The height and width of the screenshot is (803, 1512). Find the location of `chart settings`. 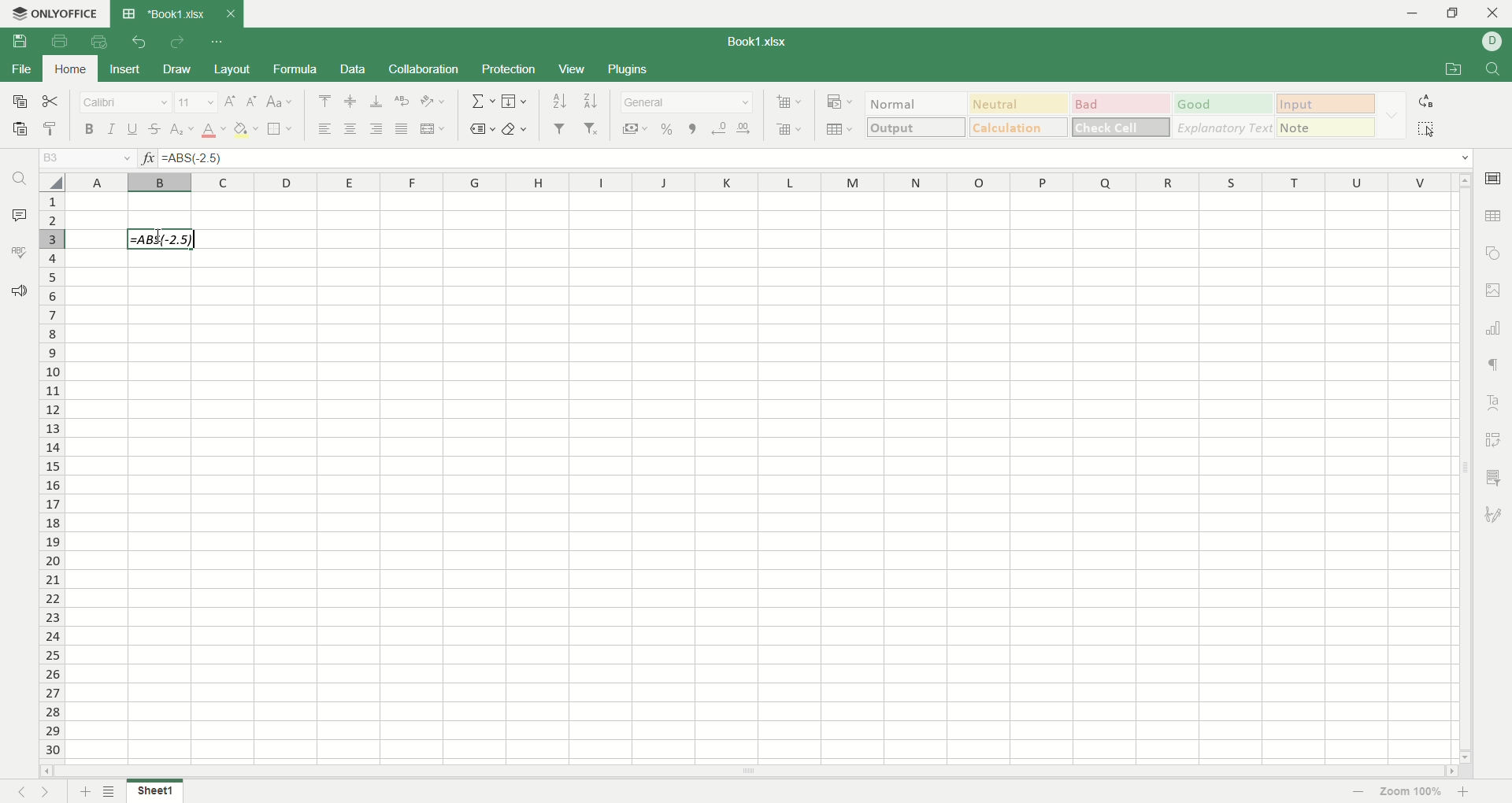

chart settings is located at coordinates (1495, 328).